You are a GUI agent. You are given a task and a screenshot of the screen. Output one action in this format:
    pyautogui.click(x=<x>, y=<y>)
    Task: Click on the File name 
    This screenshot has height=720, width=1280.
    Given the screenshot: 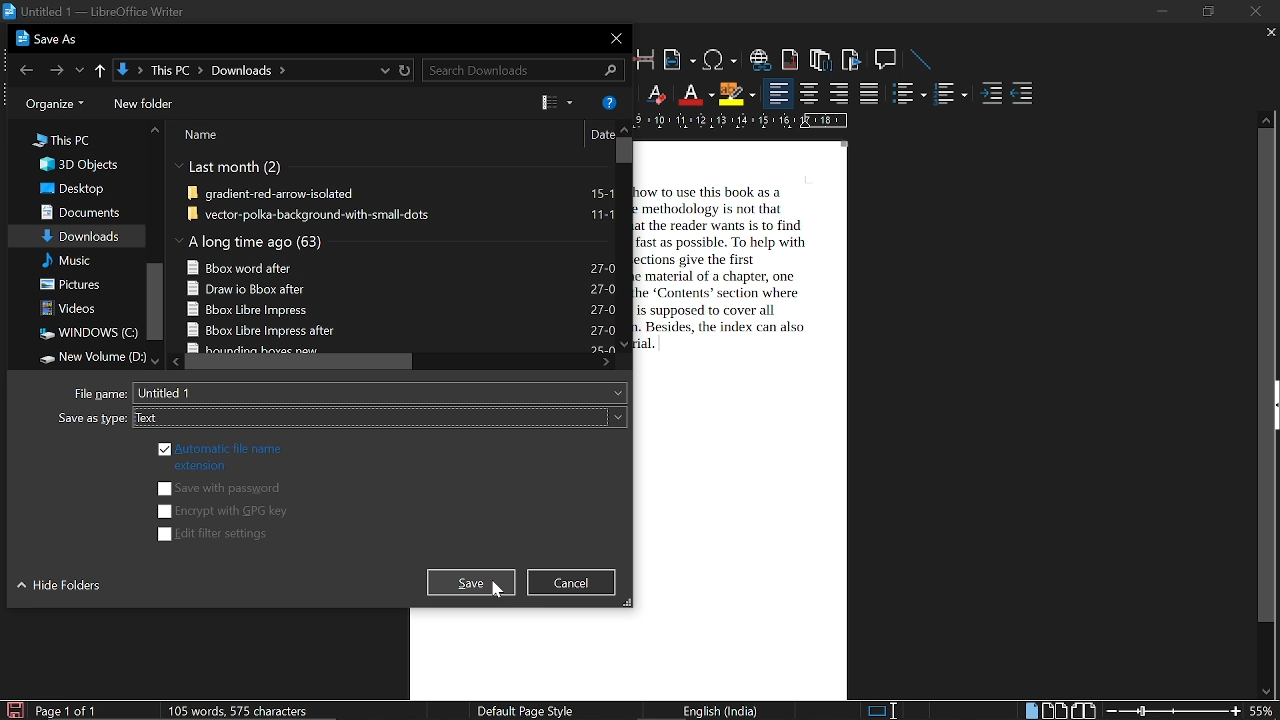 What is the action you would take?
    pyautogui.click(x=100, y=392)
    